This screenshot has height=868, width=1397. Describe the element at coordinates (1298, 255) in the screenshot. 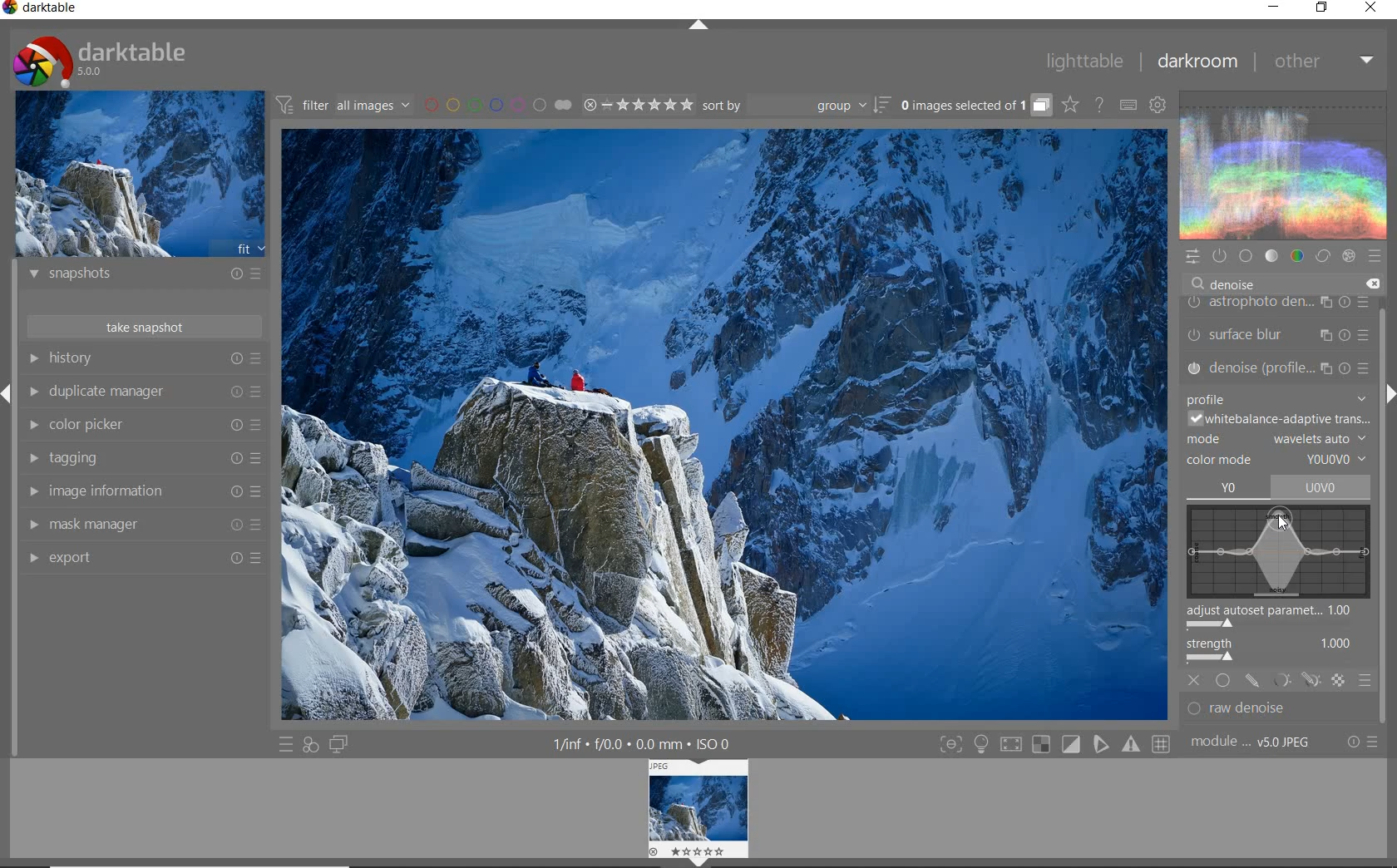

I see `color` at that location.